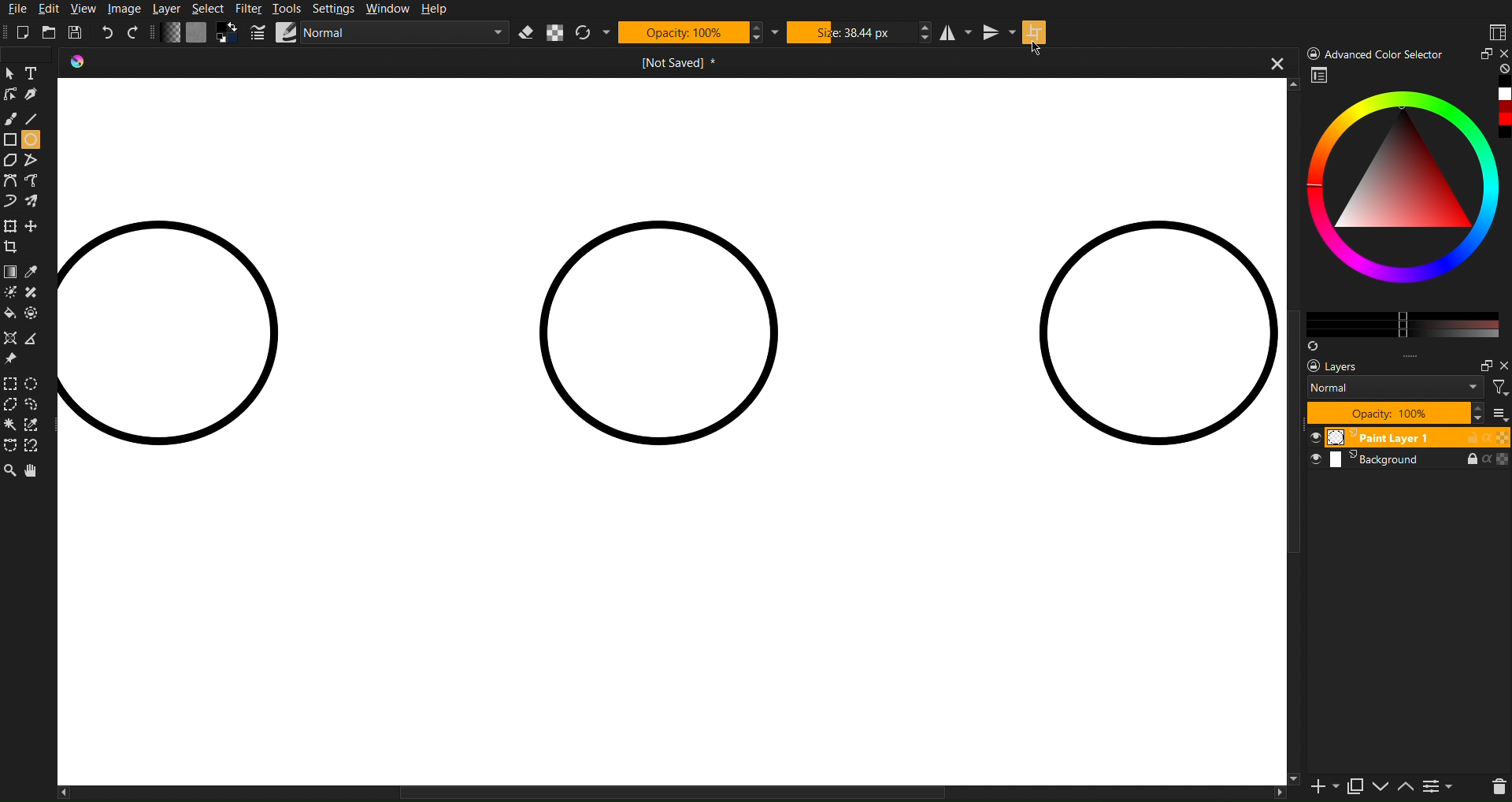 The width and height of the screenshot is (1512, 802). Describe the element at coordinates (38, 121) in the screenshot. I see `Line` at that location.